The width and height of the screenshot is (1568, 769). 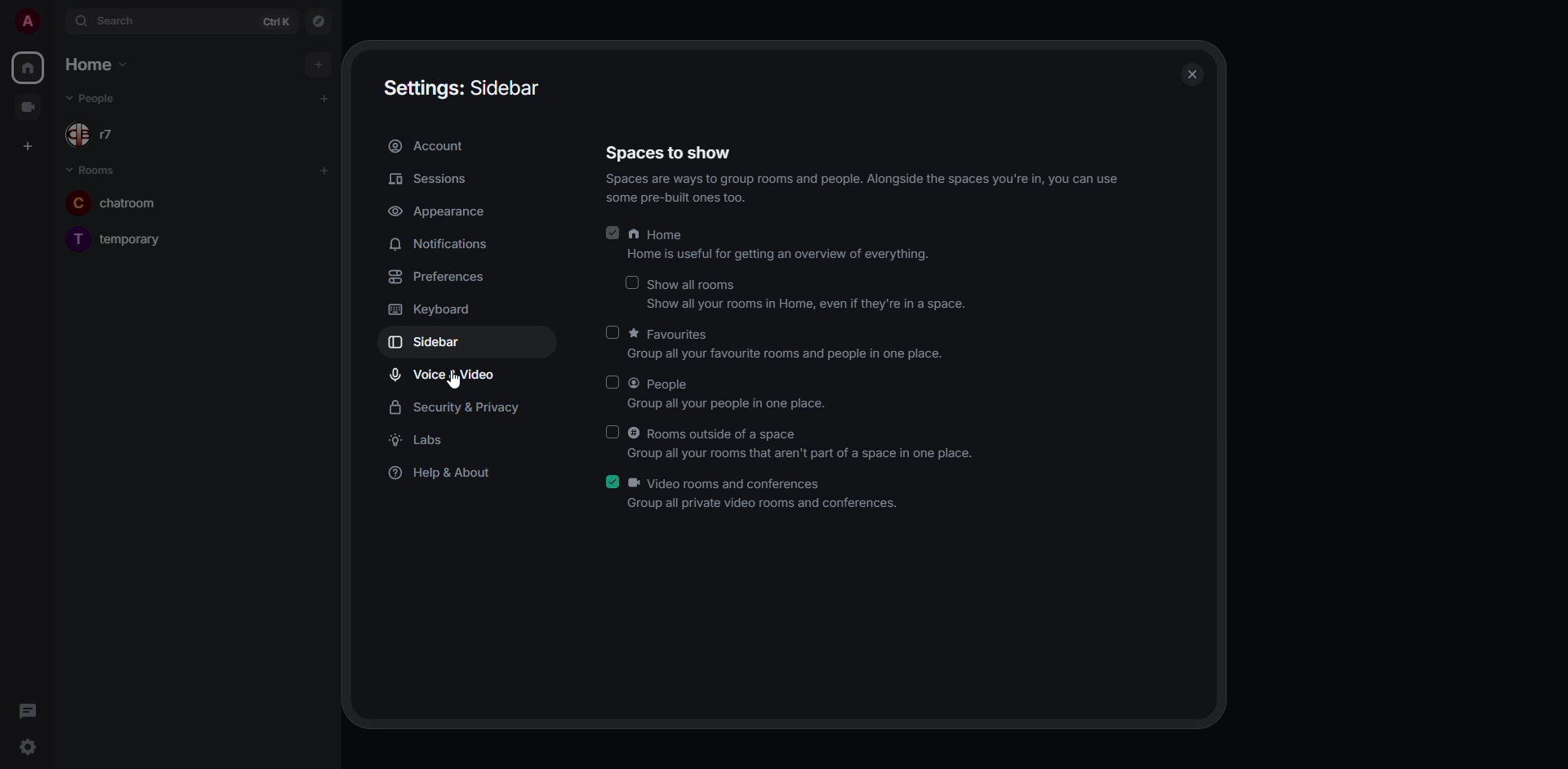 What do you see at coordinates (29, 66) in the screenshot?
I see `home` at bounding box center [29, 66].